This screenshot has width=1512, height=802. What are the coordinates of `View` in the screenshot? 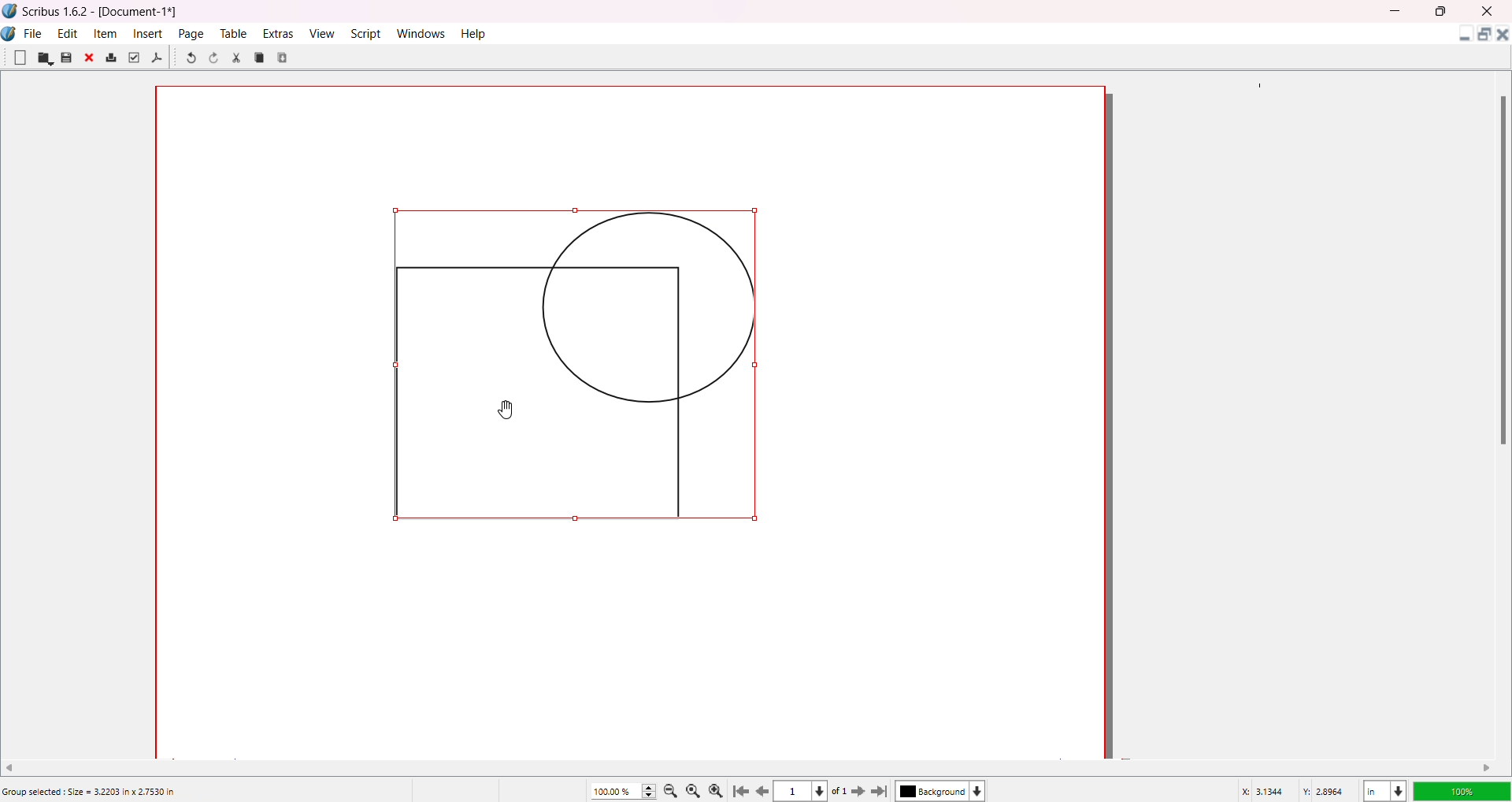 It's located at (321, 32).